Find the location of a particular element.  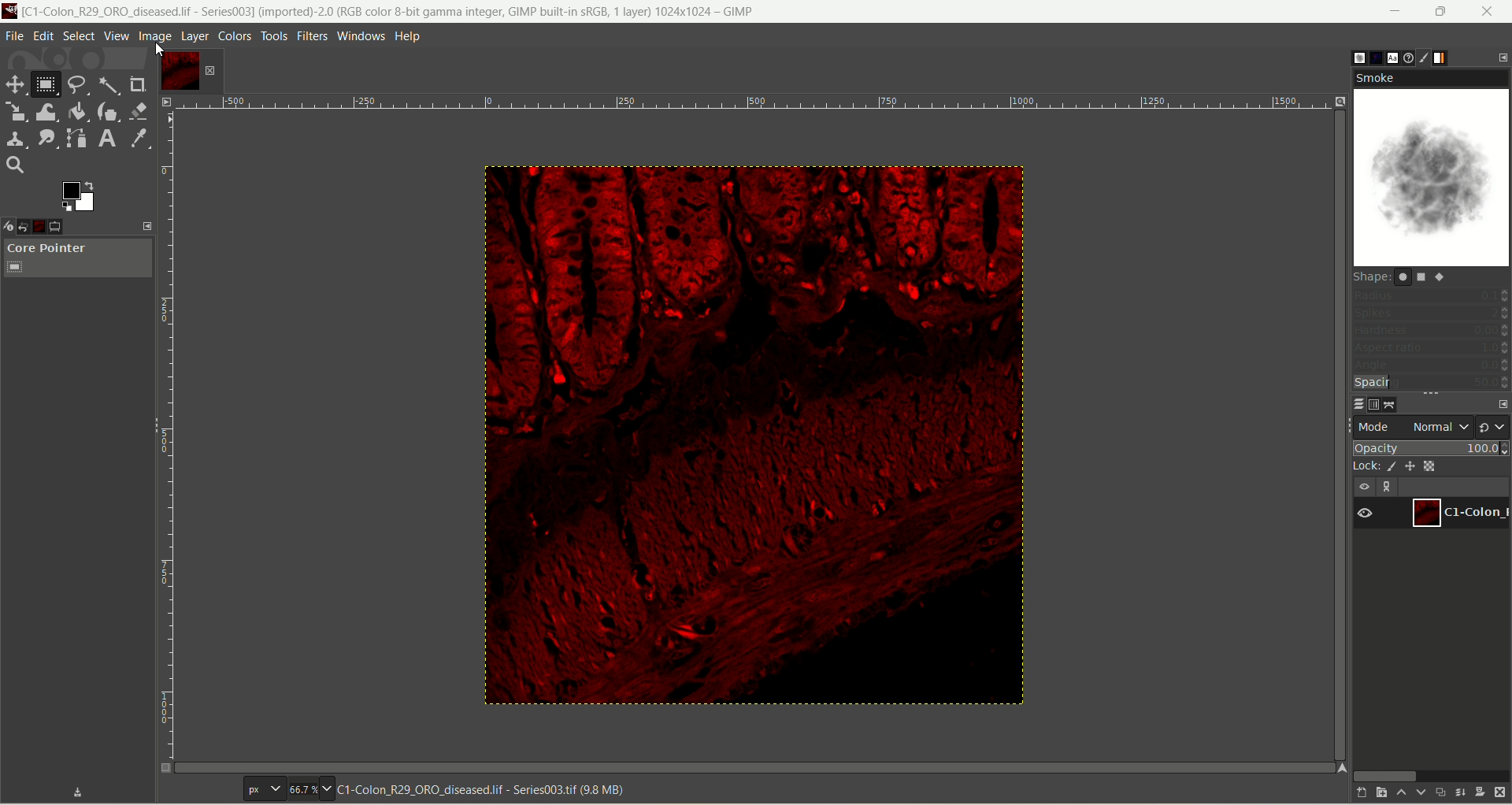

layers is located at coordinates (1358, 405).